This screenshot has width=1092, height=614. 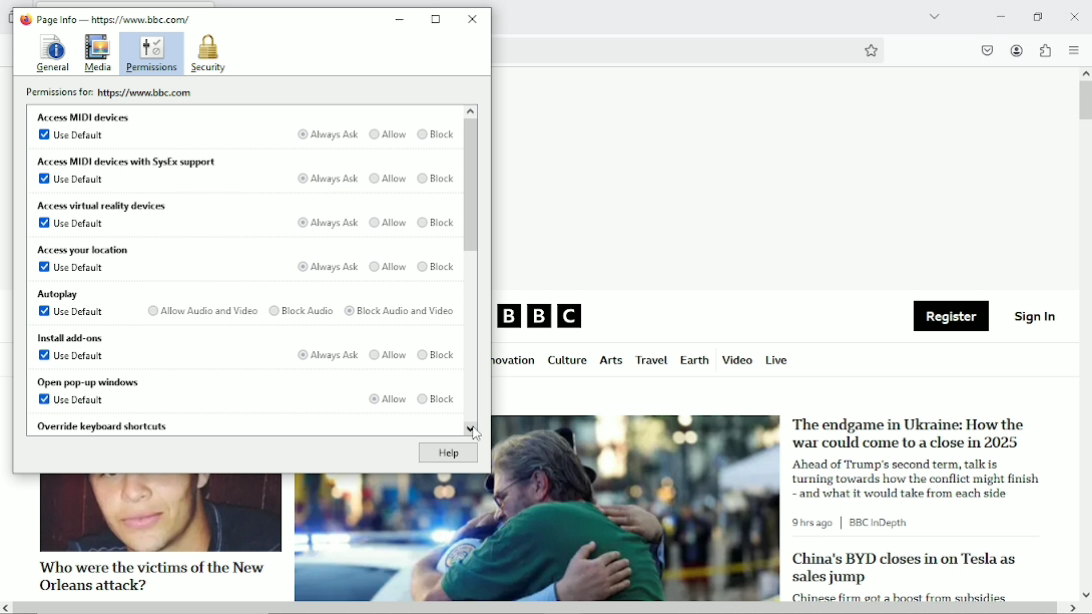 What do you see at coordinates (447, 454) in the screenshot?
I see `Help` at bounding box center [447, 454].